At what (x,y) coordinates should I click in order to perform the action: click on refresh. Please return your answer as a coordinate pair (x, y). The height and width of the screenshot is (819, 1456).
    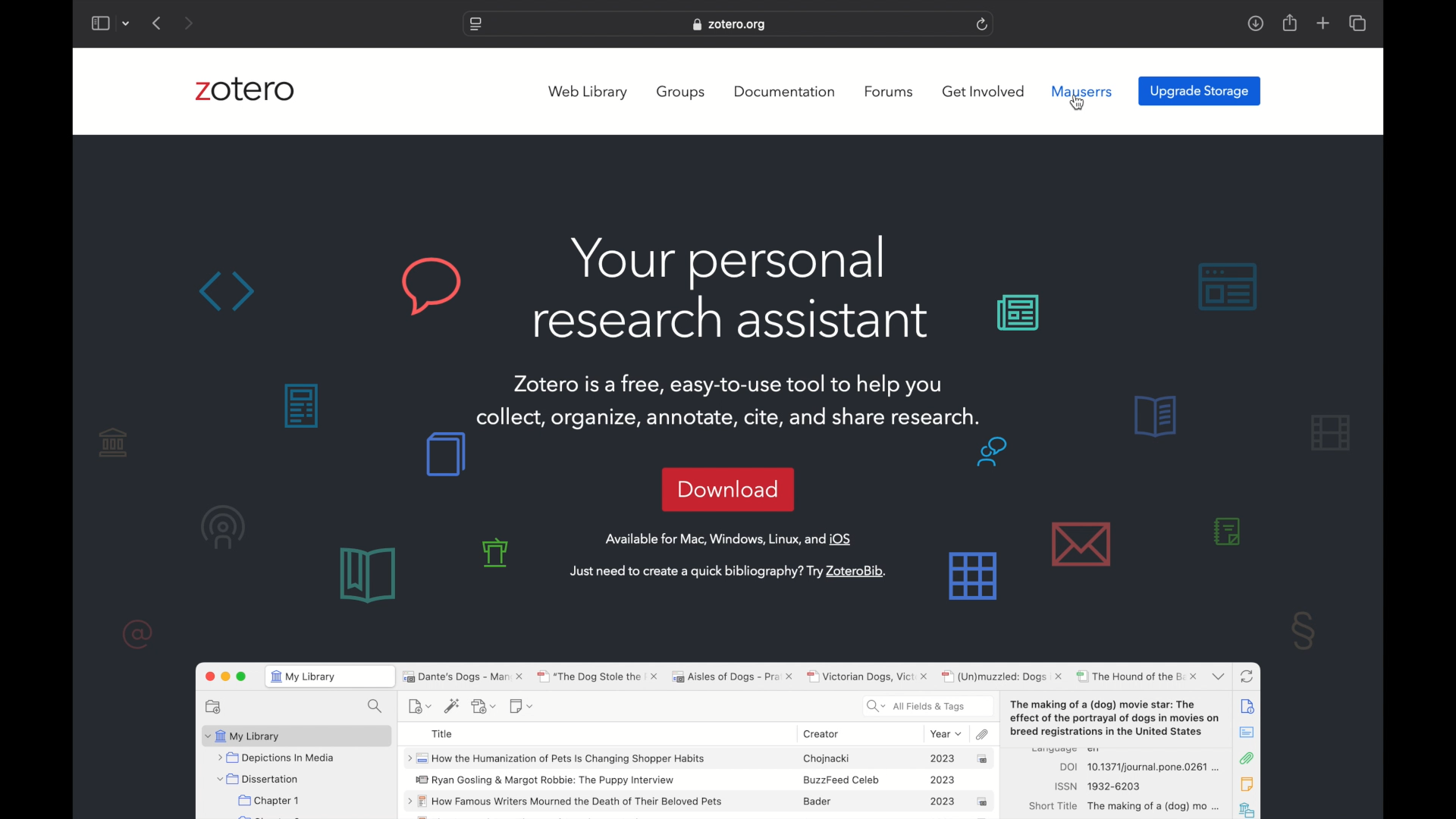
    Looking at the image, I should click on (983, 24).